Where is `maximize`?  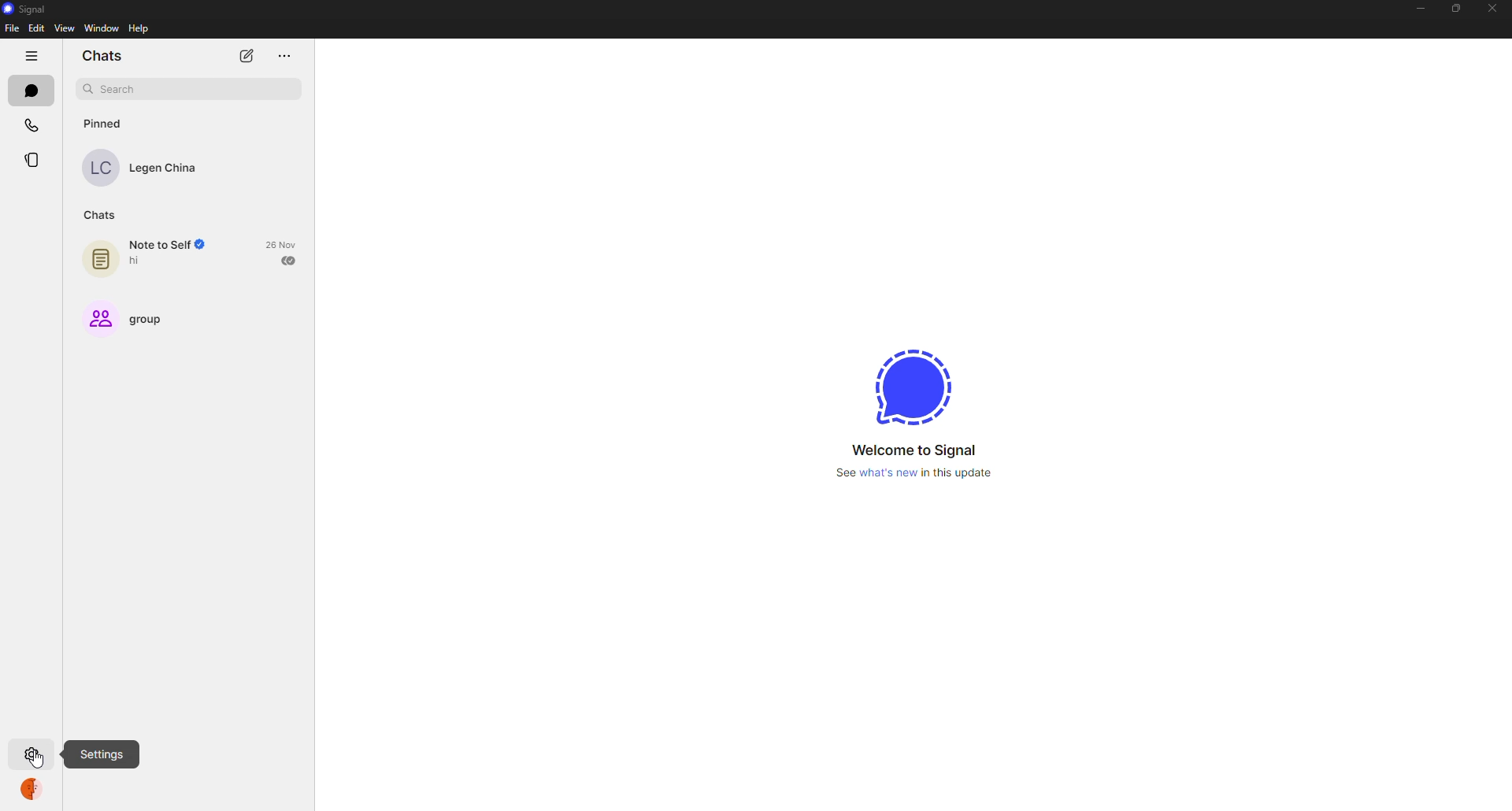 maximize is located at coordinates (1453, 9).